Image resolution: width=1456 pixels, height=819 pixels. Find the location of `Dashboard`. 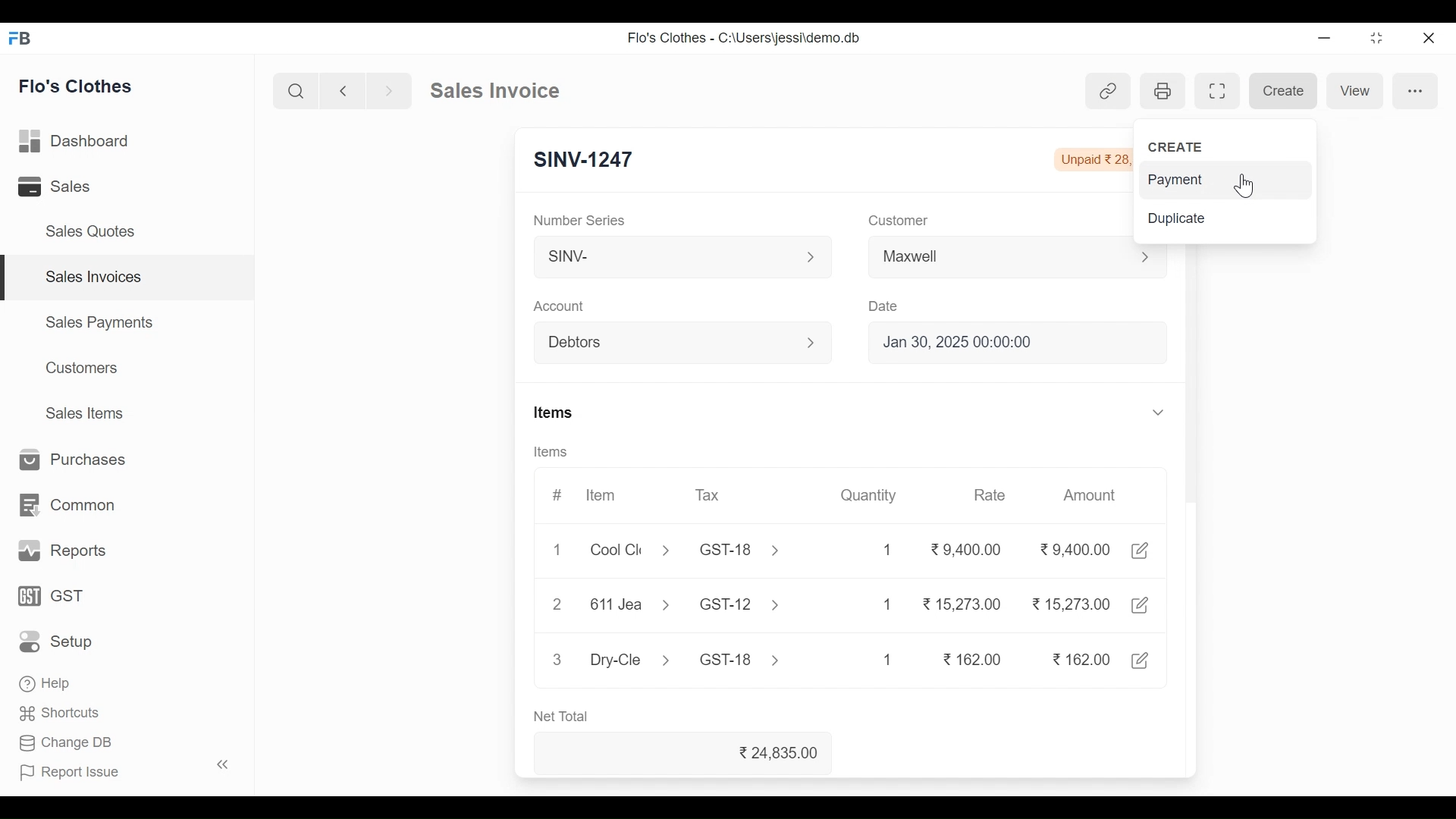

Dashboard is located at coordinates (76, 143).